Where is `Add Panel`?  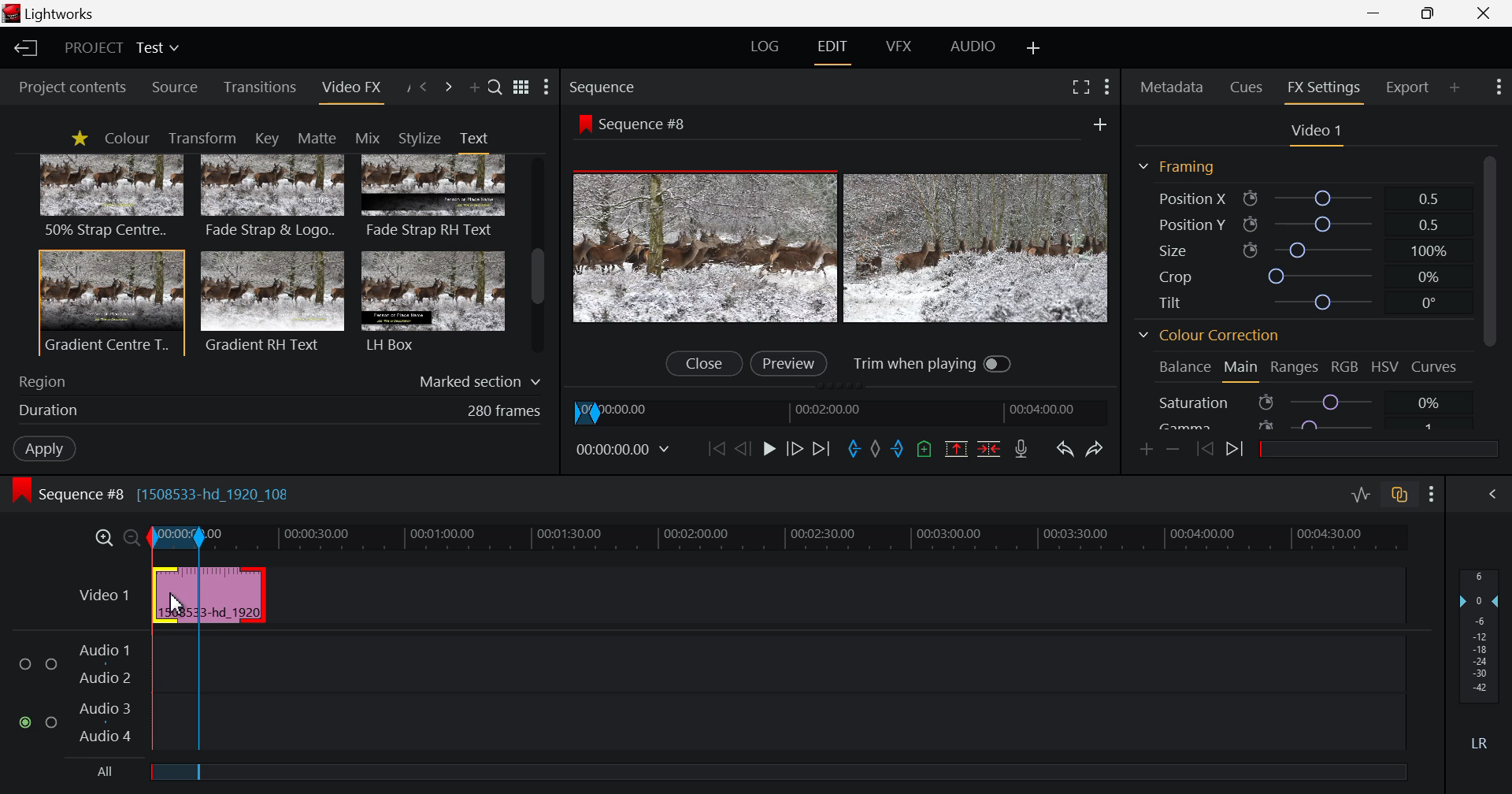 Add Panel is located at coordinates (474, 91).